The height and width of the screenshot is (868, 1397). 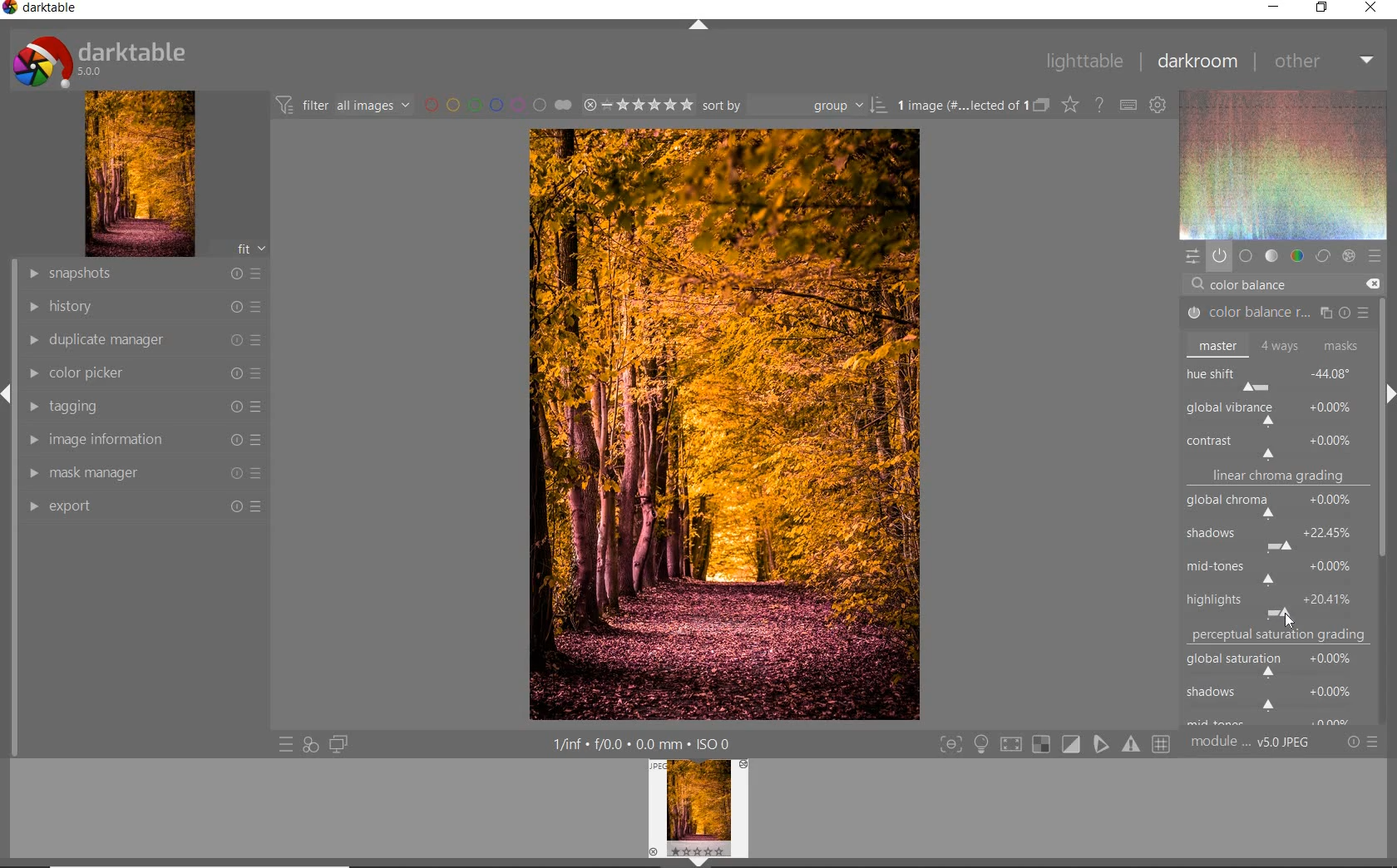 What do you see at coordinates (1282, 165) in the screenshot?
I see `wave form` at bounding box center [1282, 165].